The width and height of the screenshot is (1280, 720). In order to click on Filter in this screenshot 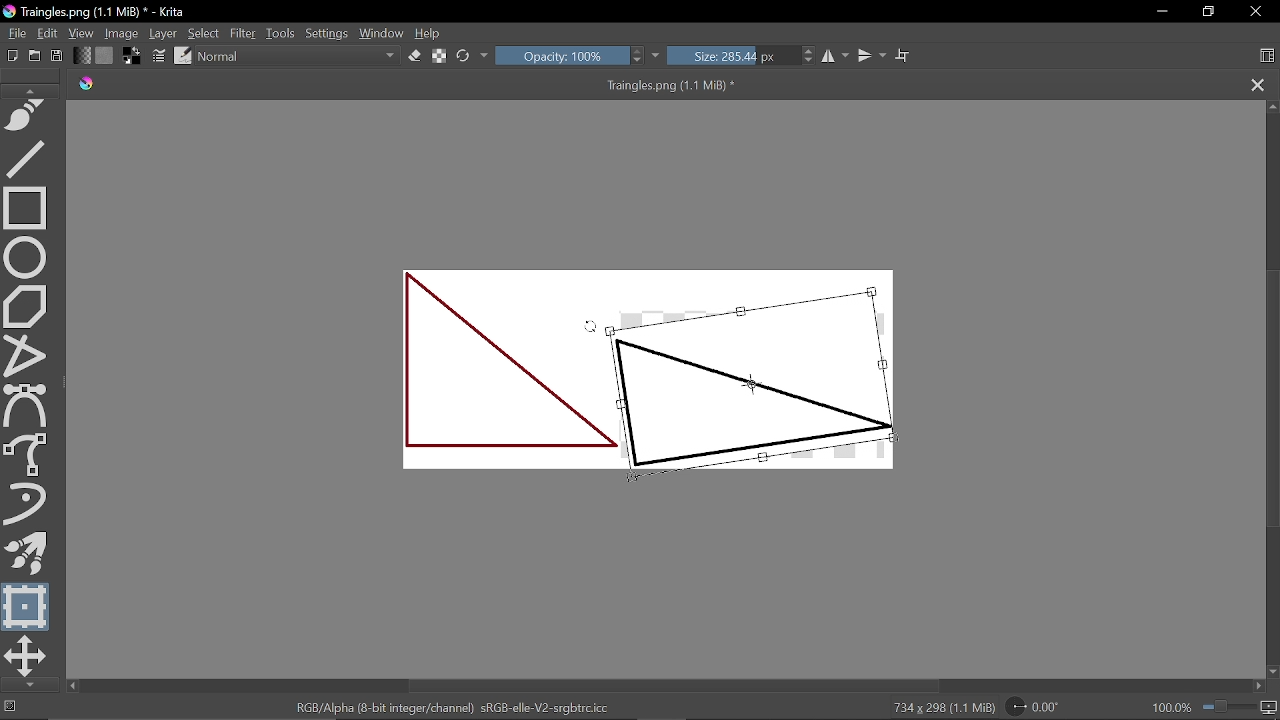, I will do `click(242, 33)`.